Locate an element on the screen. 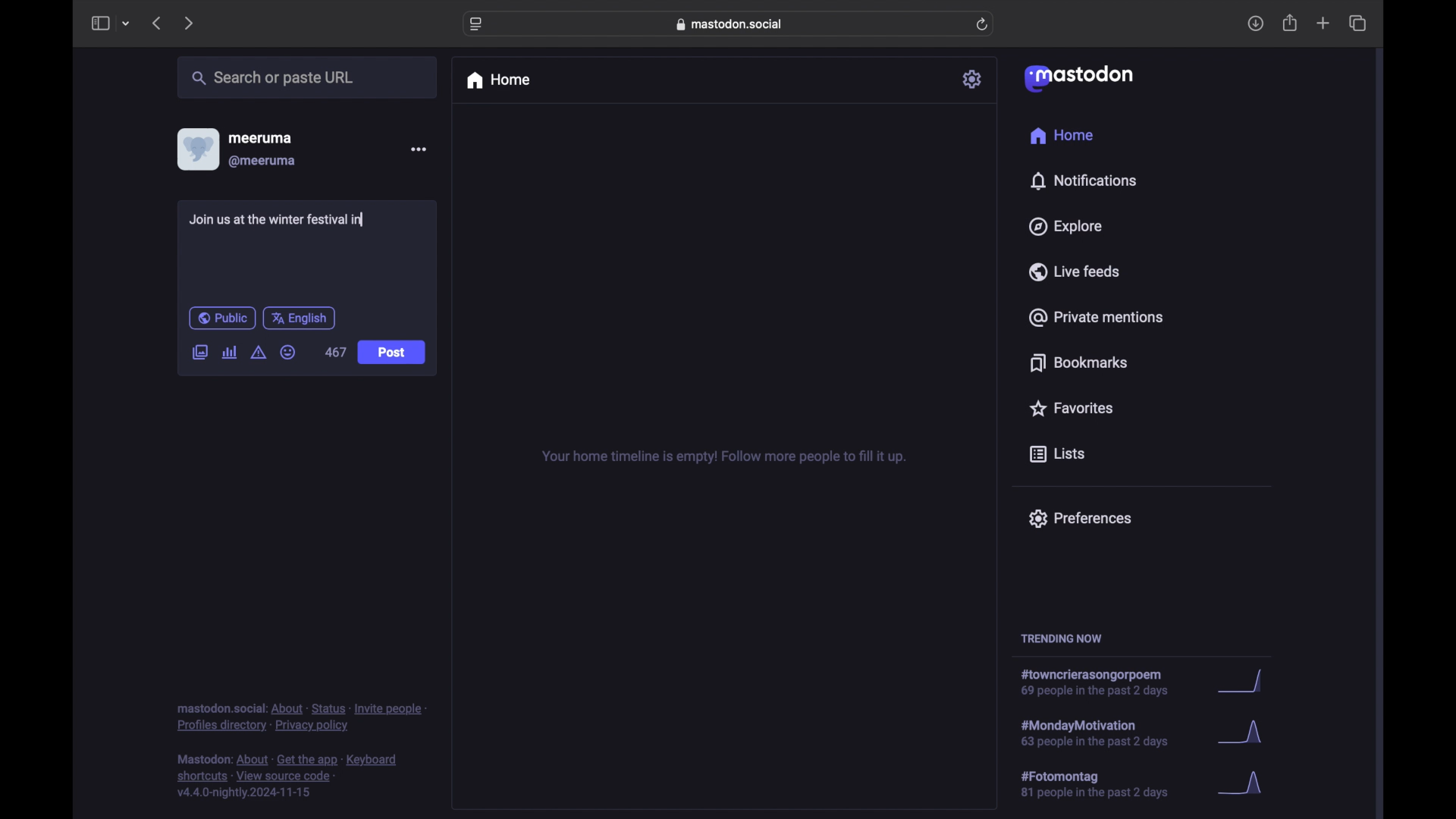 Image resolution: width=1456 pixels, height=819 pixels. tab group picker is located at coordinates (126, 24).